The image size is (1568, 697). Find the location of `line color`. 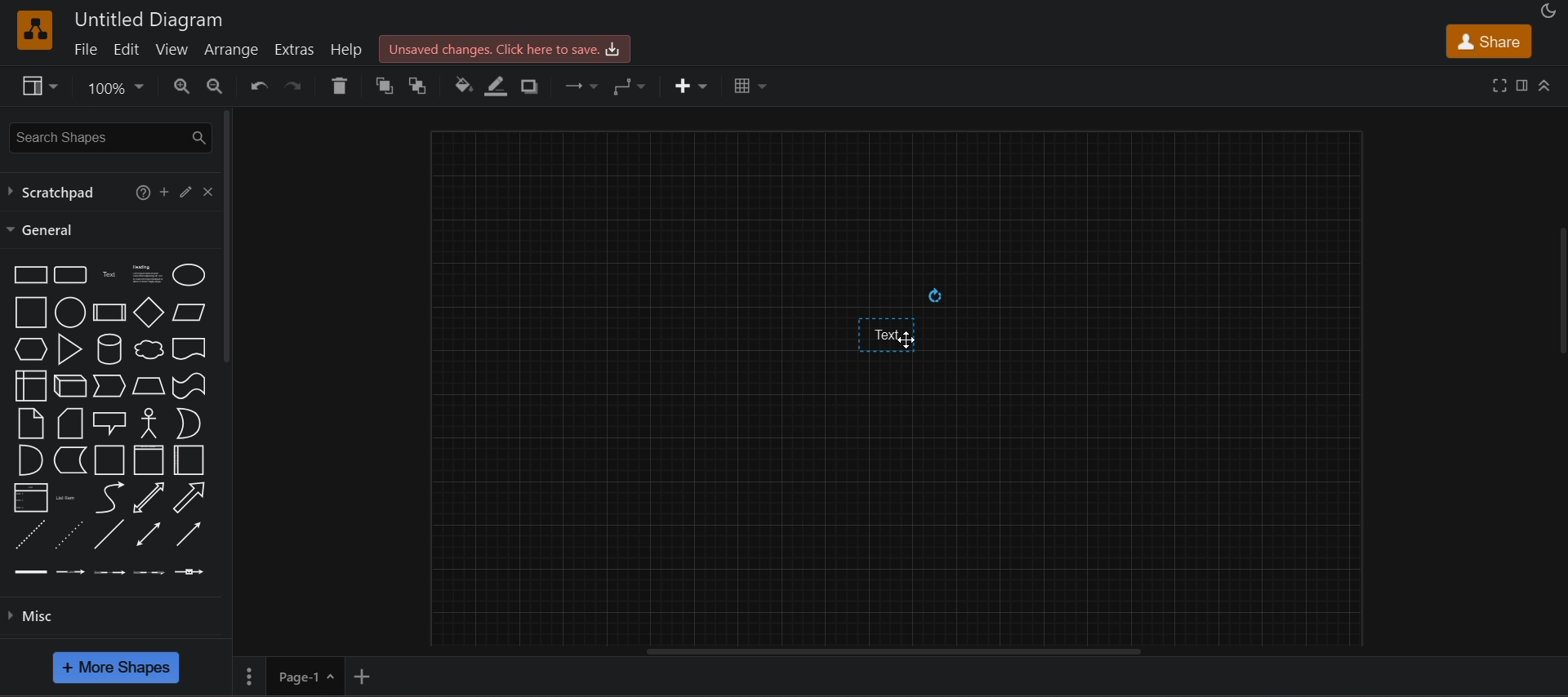

line color is located at coordinates (497, 87).